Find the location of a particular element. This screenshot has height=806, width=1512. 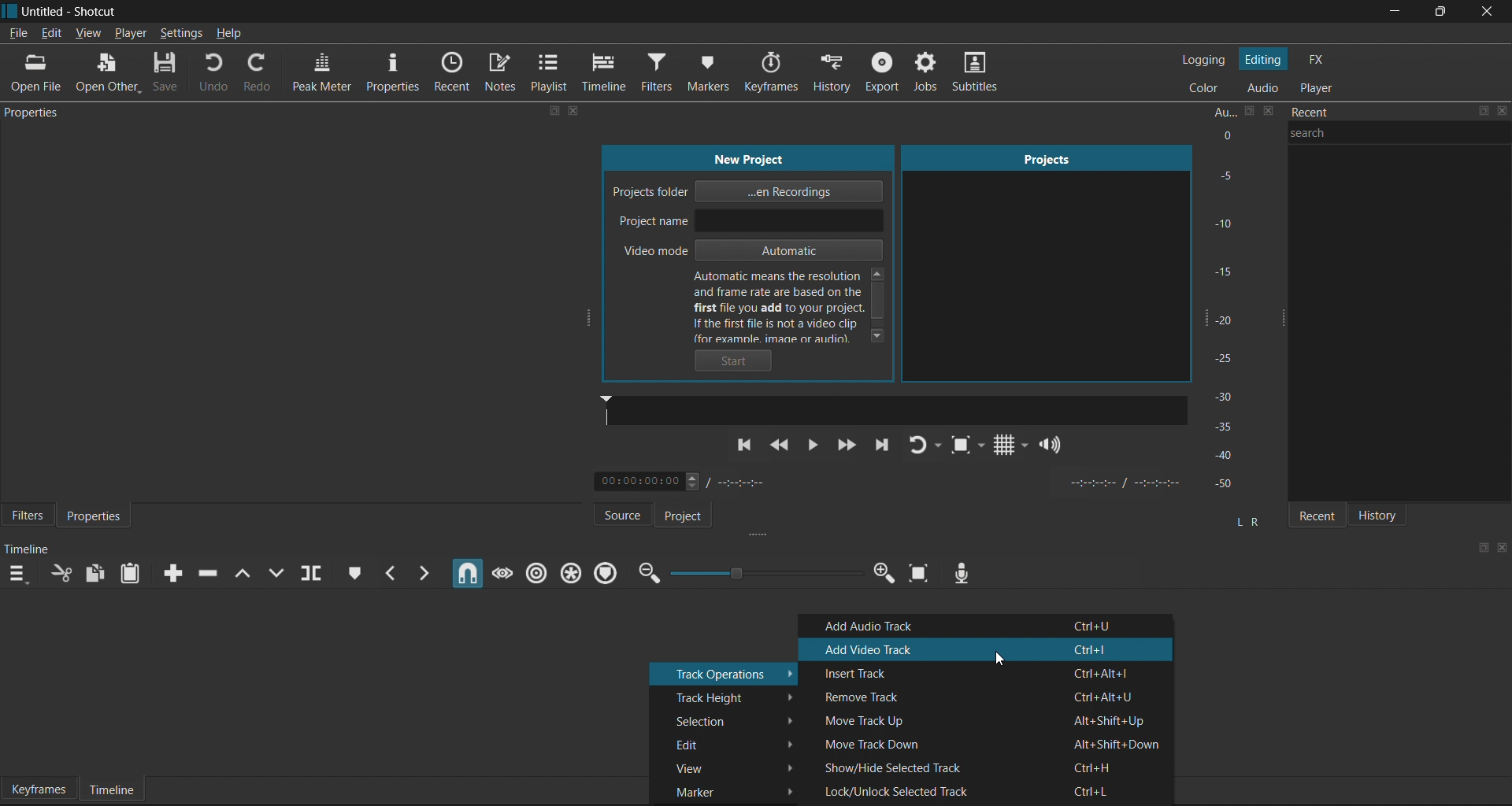

Keyframes is located at coordinates (779, 72).